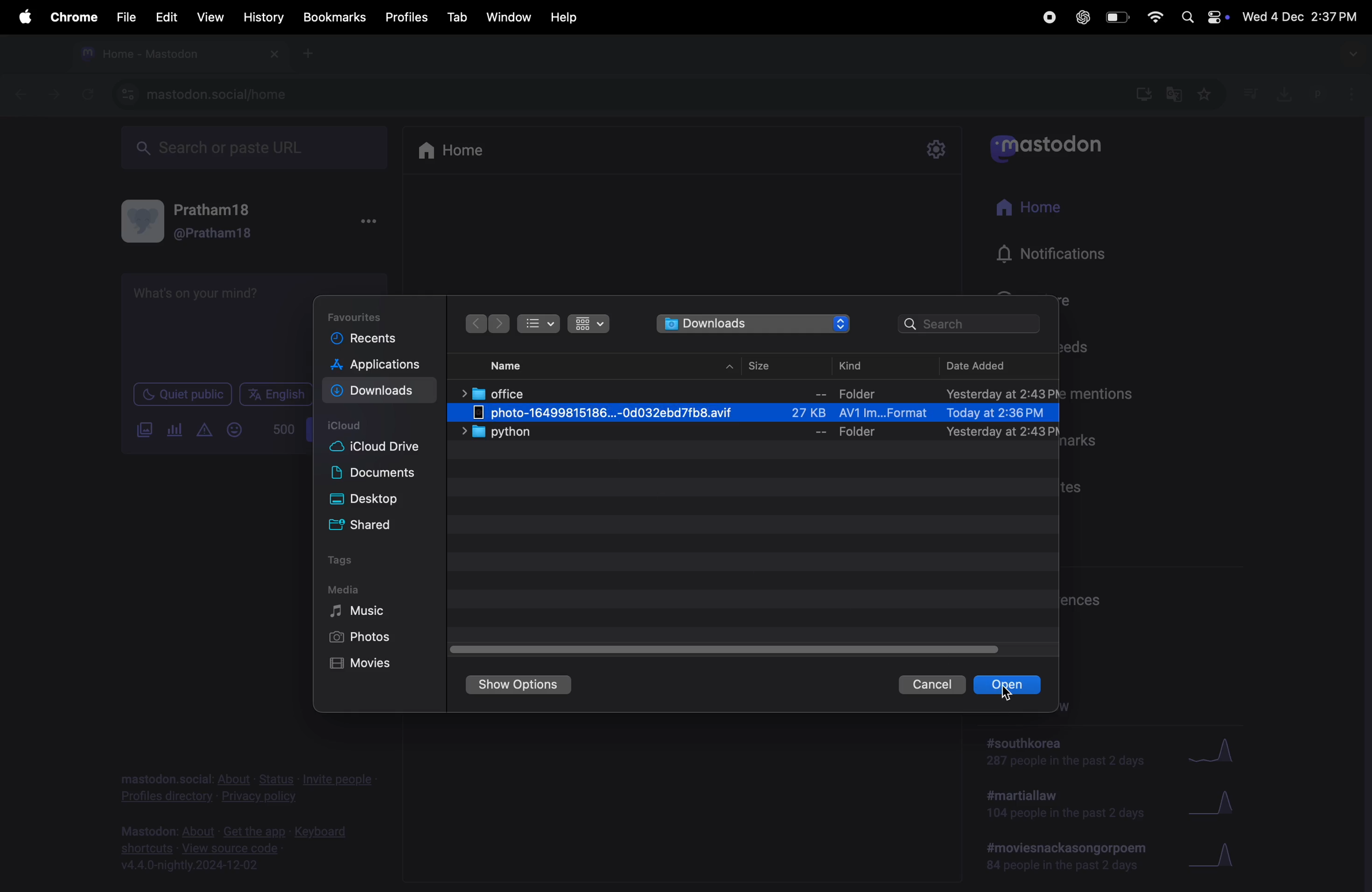 This screenshot has height=892, width=1372. What do you see at coordinates (378, 475) in the screenshot?
I see `documents` at bounding box center [378, 475].